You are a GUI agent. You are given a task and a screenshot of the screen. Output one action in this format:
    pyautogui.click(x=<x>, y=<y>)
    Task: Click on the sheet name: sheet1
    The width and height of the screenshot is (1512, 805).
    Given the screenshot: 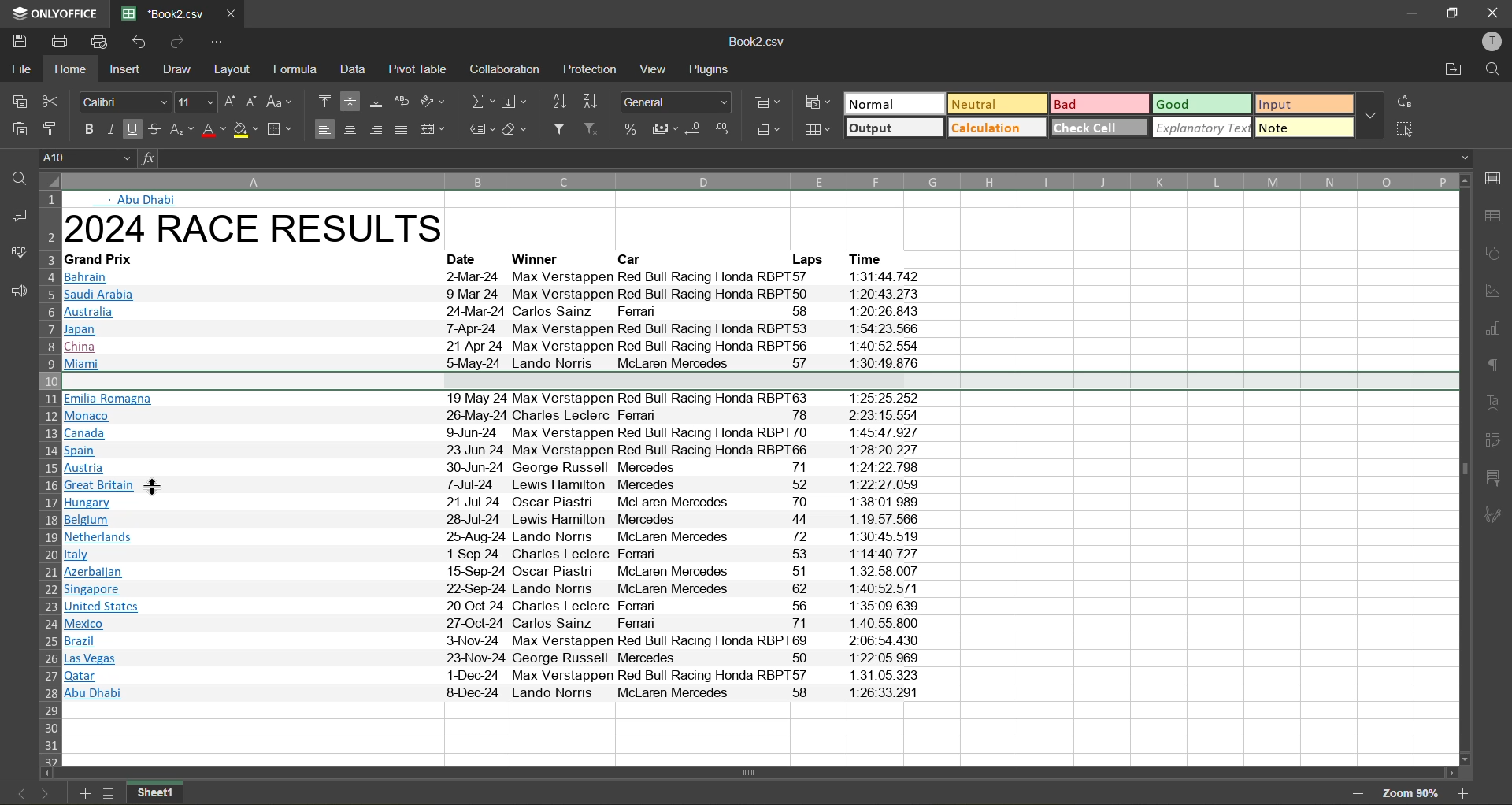 What is the action you would take?
    pyautogui.click(x=165, y=793)
    